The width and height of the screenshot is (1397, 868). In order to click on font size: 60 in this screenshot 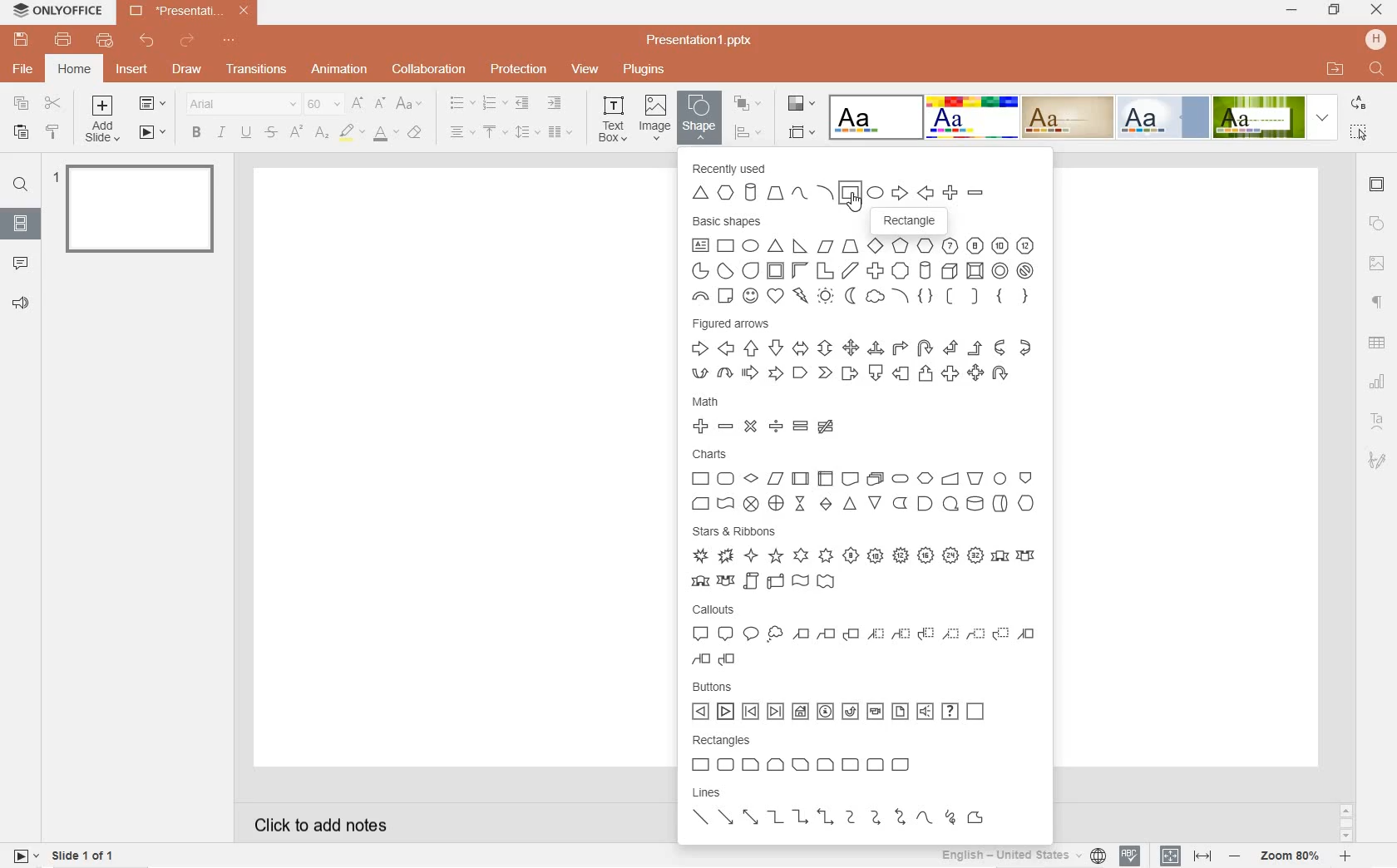, I will do `click(322, 106)`.